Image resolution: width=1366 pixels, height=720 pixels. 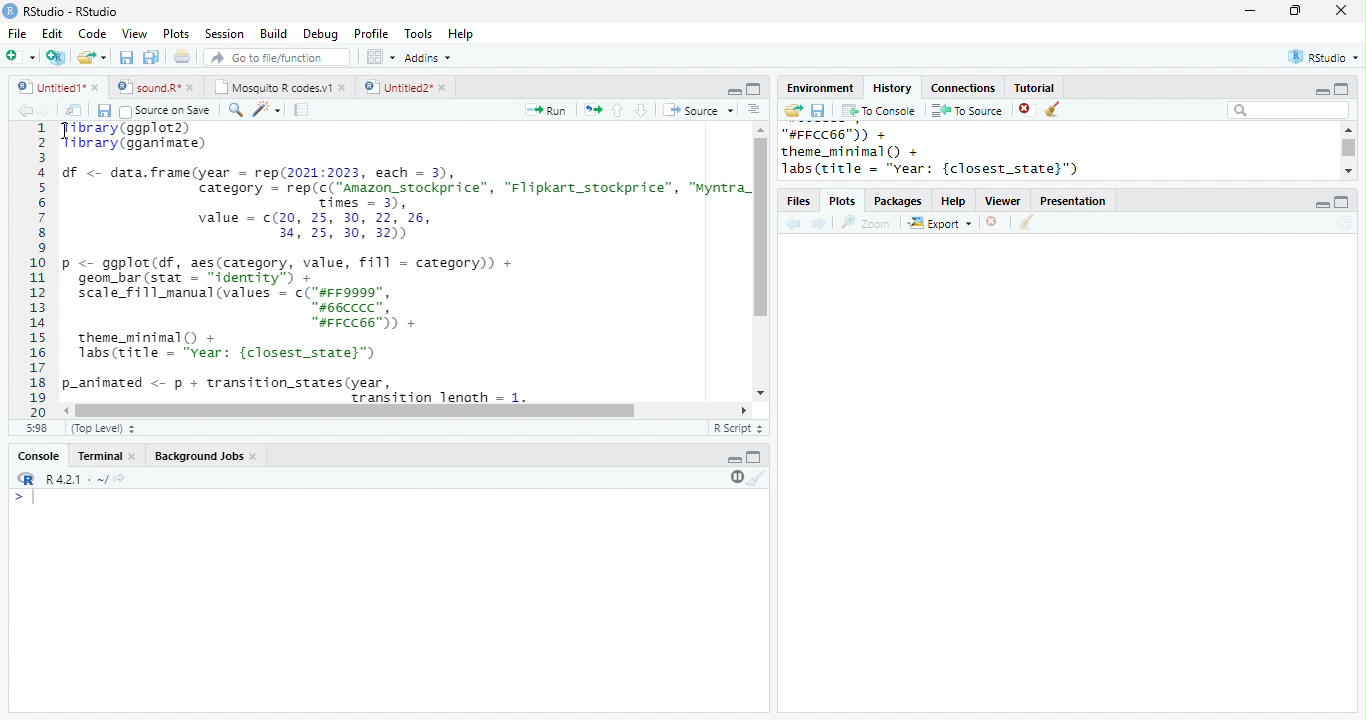 What do you see at coordinates (147, 88) in the screenshot?
I see `sound.R` at bounding box center [147, 88].